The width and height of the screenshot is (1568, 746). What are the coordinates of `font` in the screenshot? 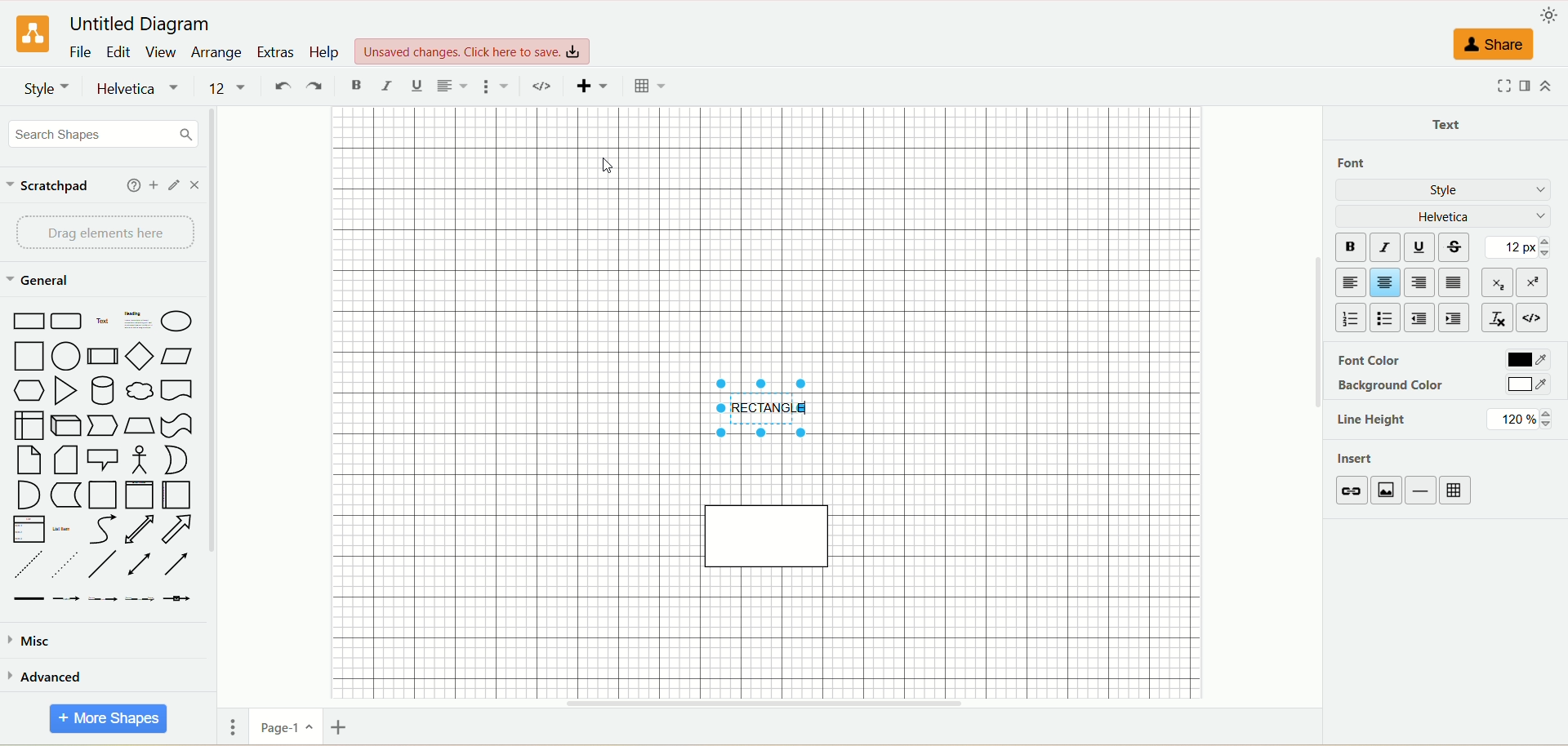 It's located at (1365, 164).